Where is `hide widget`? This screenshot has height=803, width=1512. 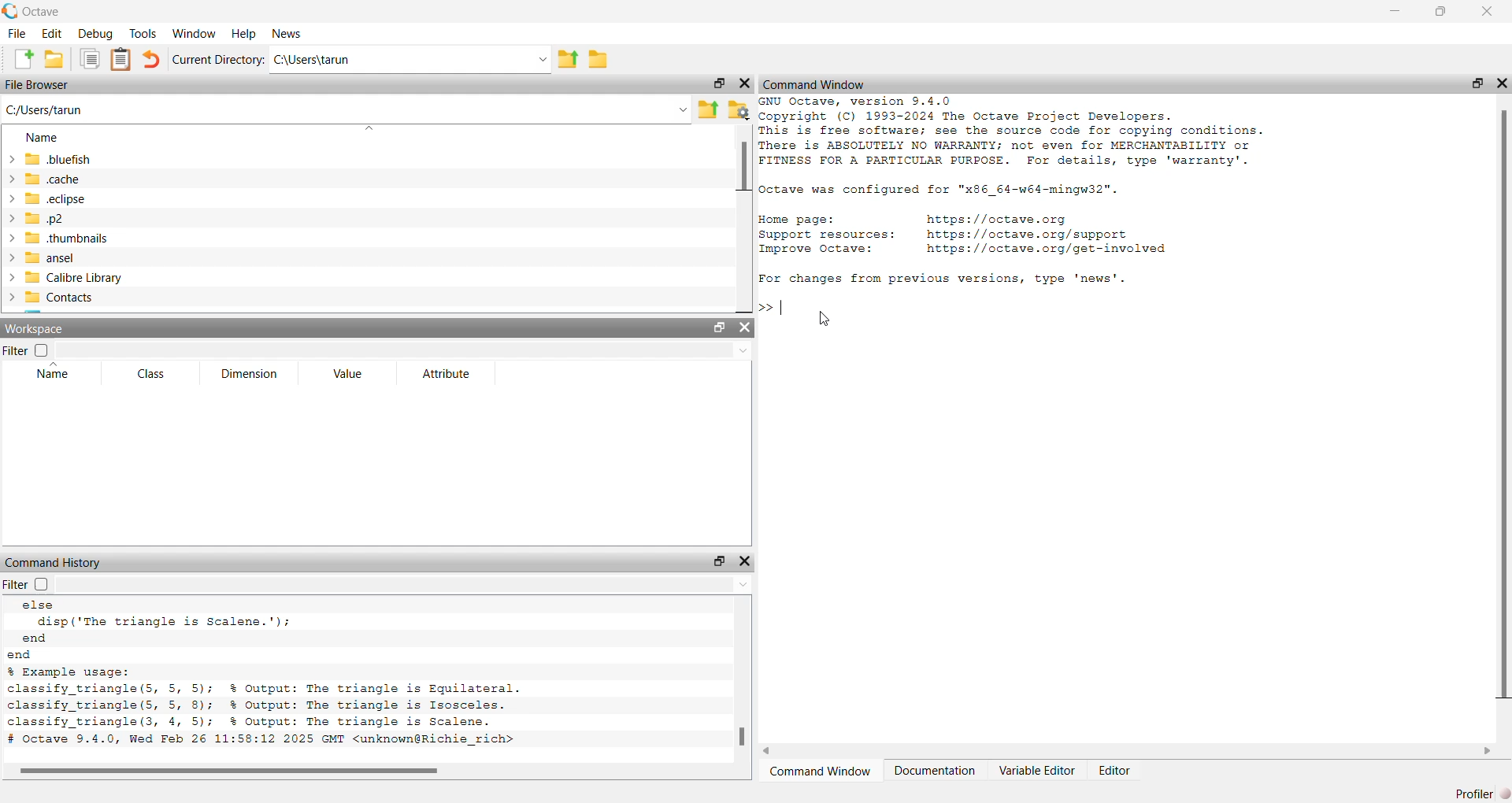 hide widget is located at coordinates (745, 561).